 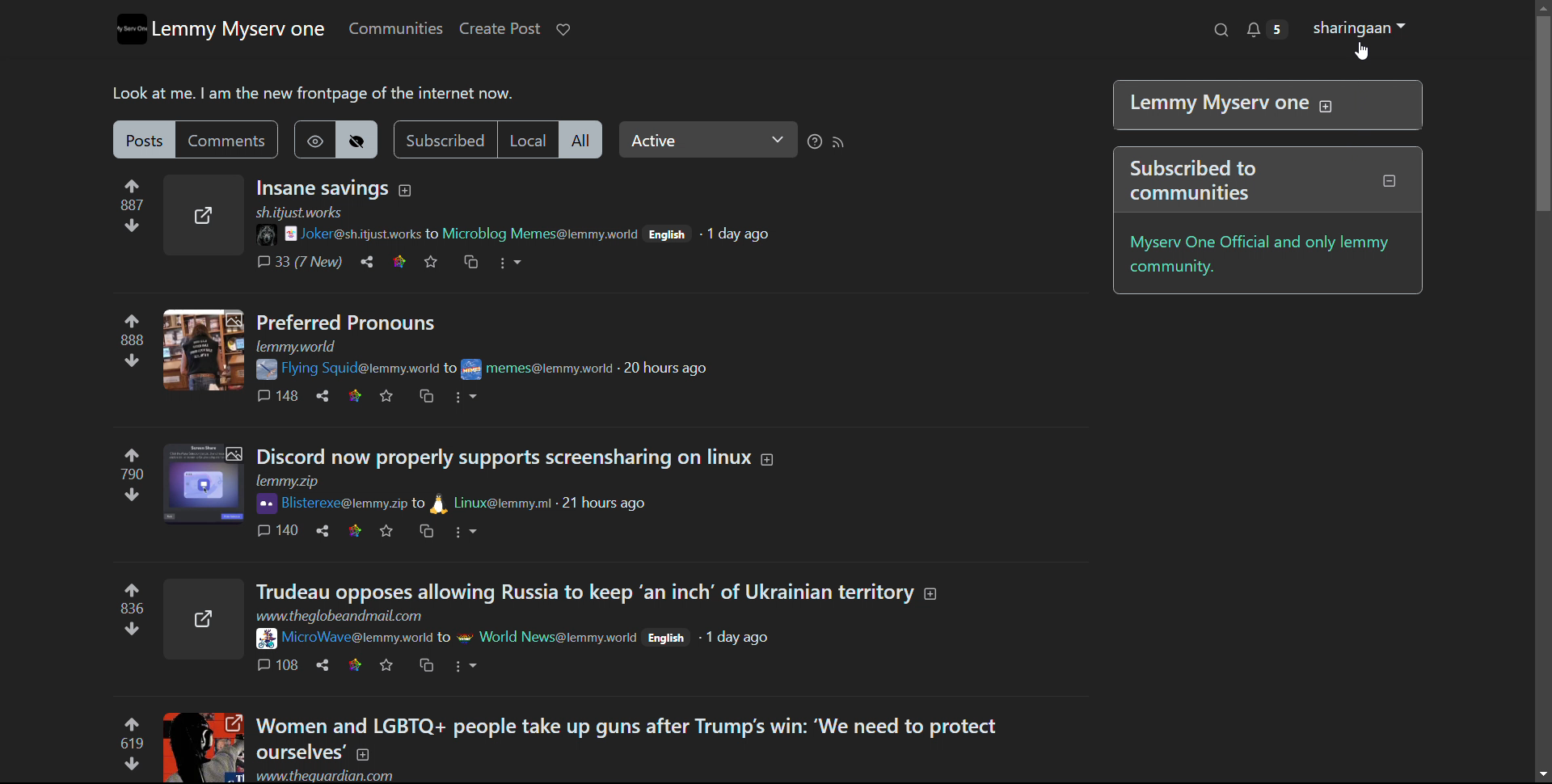 What do you see at coordinates (329, 777) in the screenshot?
I see `www.theguardian.com` at bounding box center [329, 777].